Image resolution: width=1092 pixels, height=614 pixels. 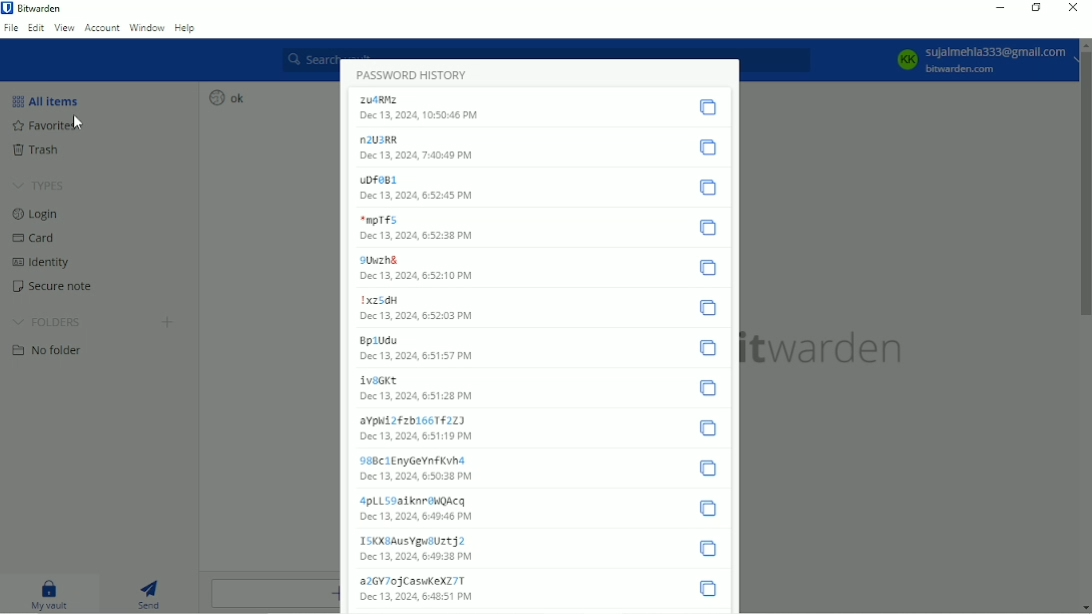 I want to click on Vertical scrollbar, so click(x=1085, y=187).